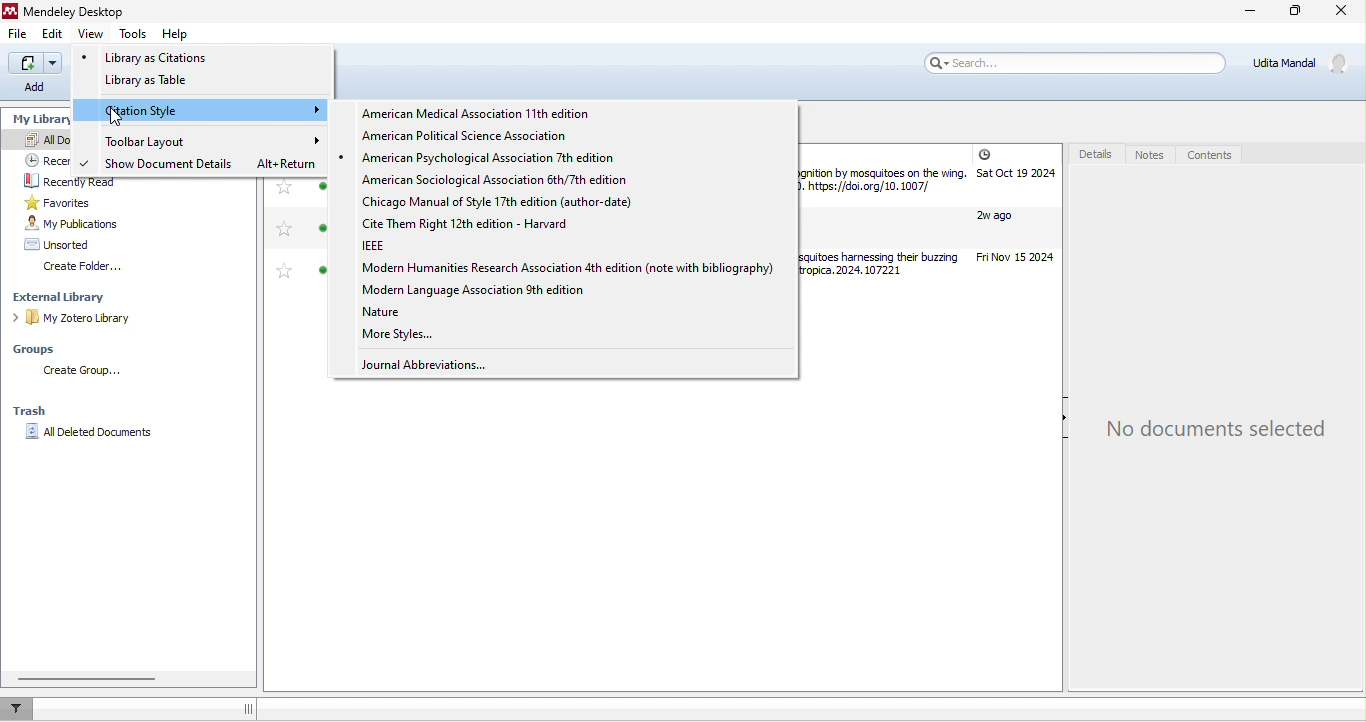  I want to click on FUSISURPN SUN (ERG PUR RTUN Ss S—

Gbson, G., Warren, B., & Russel, 1. 3. (2010). Humming in tune: Sex and speces recognition by moscutoes on the wing.
JARO - Journal of the Assoc bon for Research in Otolaryngology, 119), 527-540. hitps: jdolorg/10. 1007]
5101620102432

Mandal, U. (2024). No Tie. Acta Tropica, 342), 156.

Mandal, U., Suman, M., Dutta, J., Dot, V., & Suman, D. S. (2024). Survedlance of mosquitoes hamessing ther buzzng
‘sound. Acta Tropica, 255, 107221. https: jdoi.org https: doi org/0. 1016) actatropsca. 2024, 107221, so click(884, 218).